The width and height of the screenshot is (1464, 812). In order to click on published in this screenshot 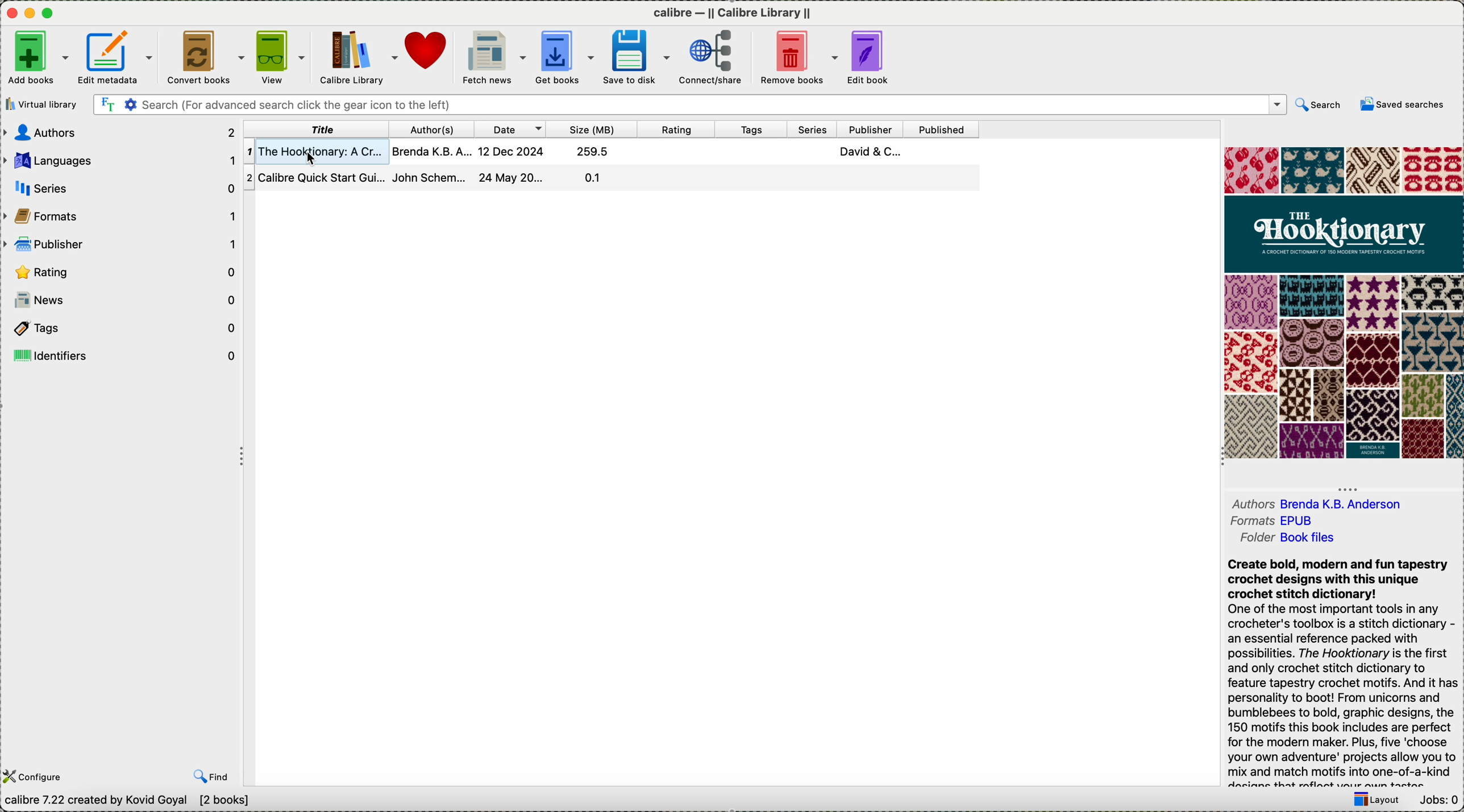, I will do `click(942, 129)`.